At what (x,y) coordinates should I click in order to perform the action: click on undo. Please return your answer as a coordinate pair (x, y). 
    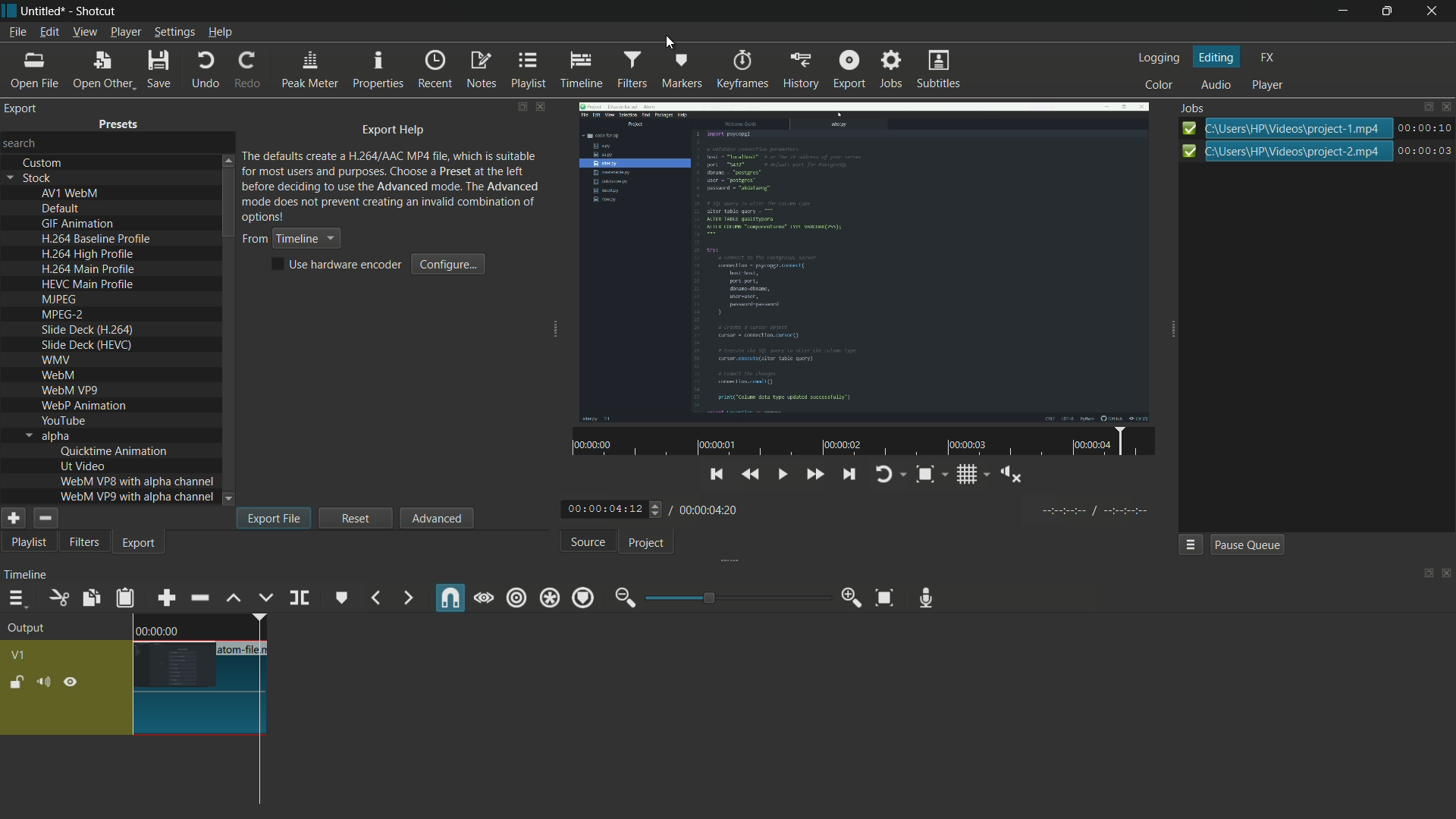
    Looking at the image, I should click on (206, 70).